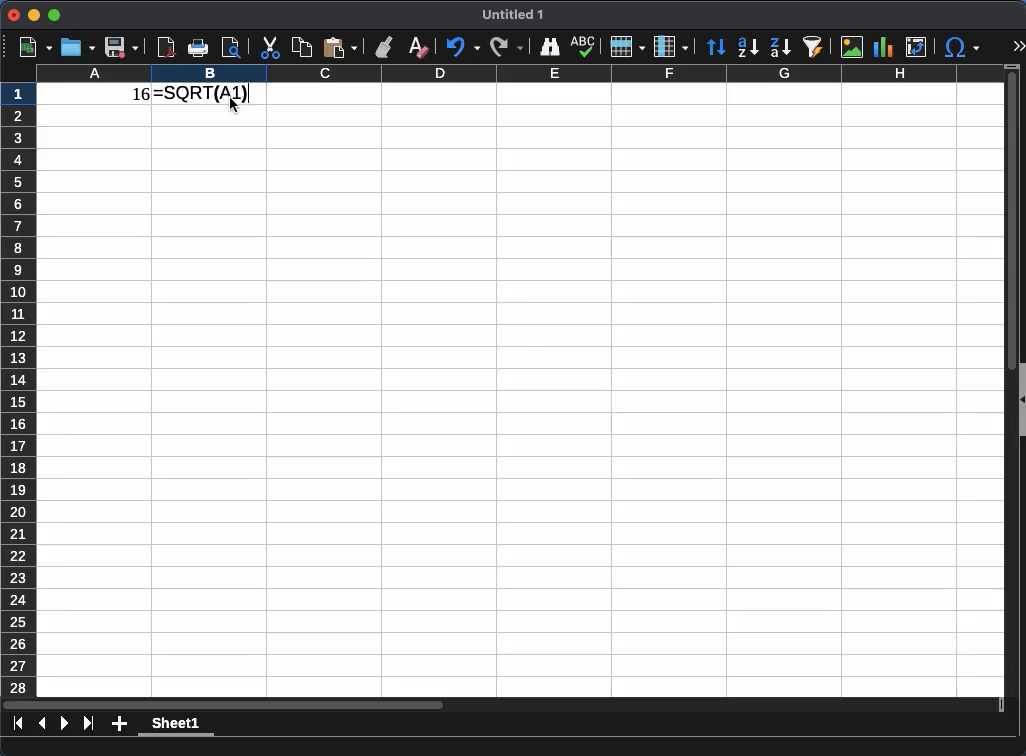  I want to click on next sheet, so click(63, 723).